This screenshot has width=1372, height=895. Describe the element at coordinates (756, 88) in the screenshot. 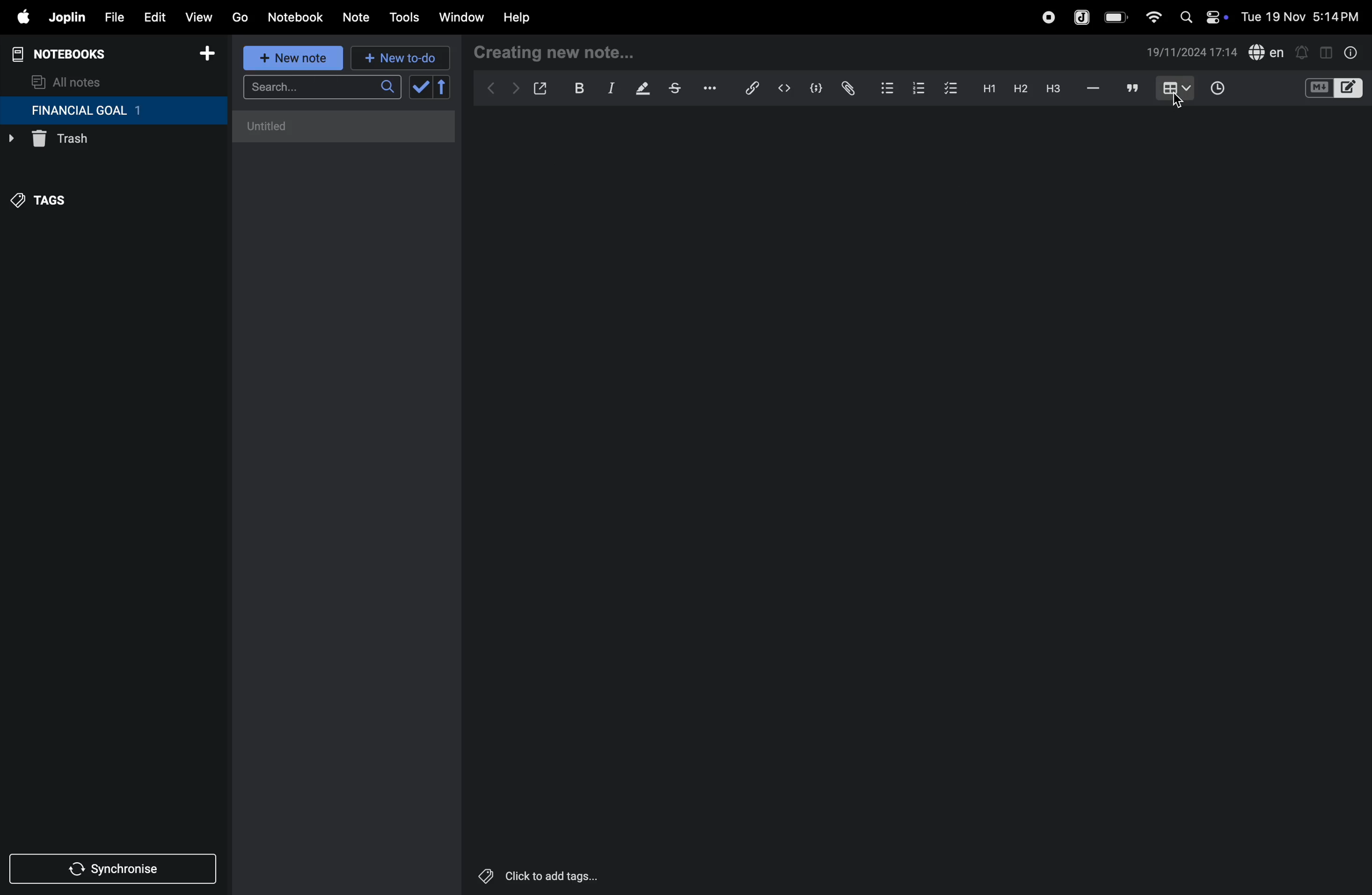

I see `hyper link` at that location.